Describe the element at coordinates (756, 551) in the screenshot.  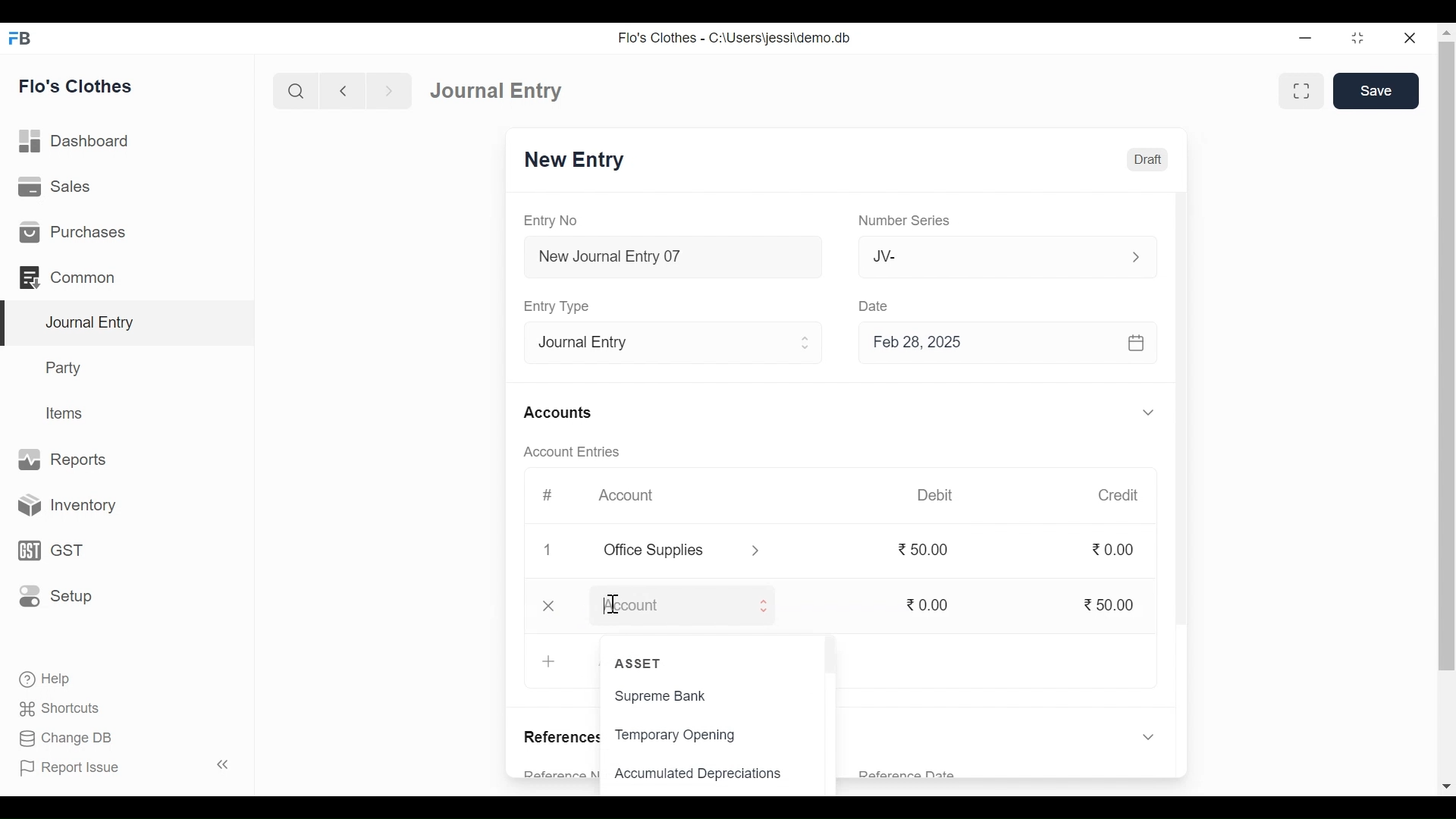
I see `Expand` at that location.